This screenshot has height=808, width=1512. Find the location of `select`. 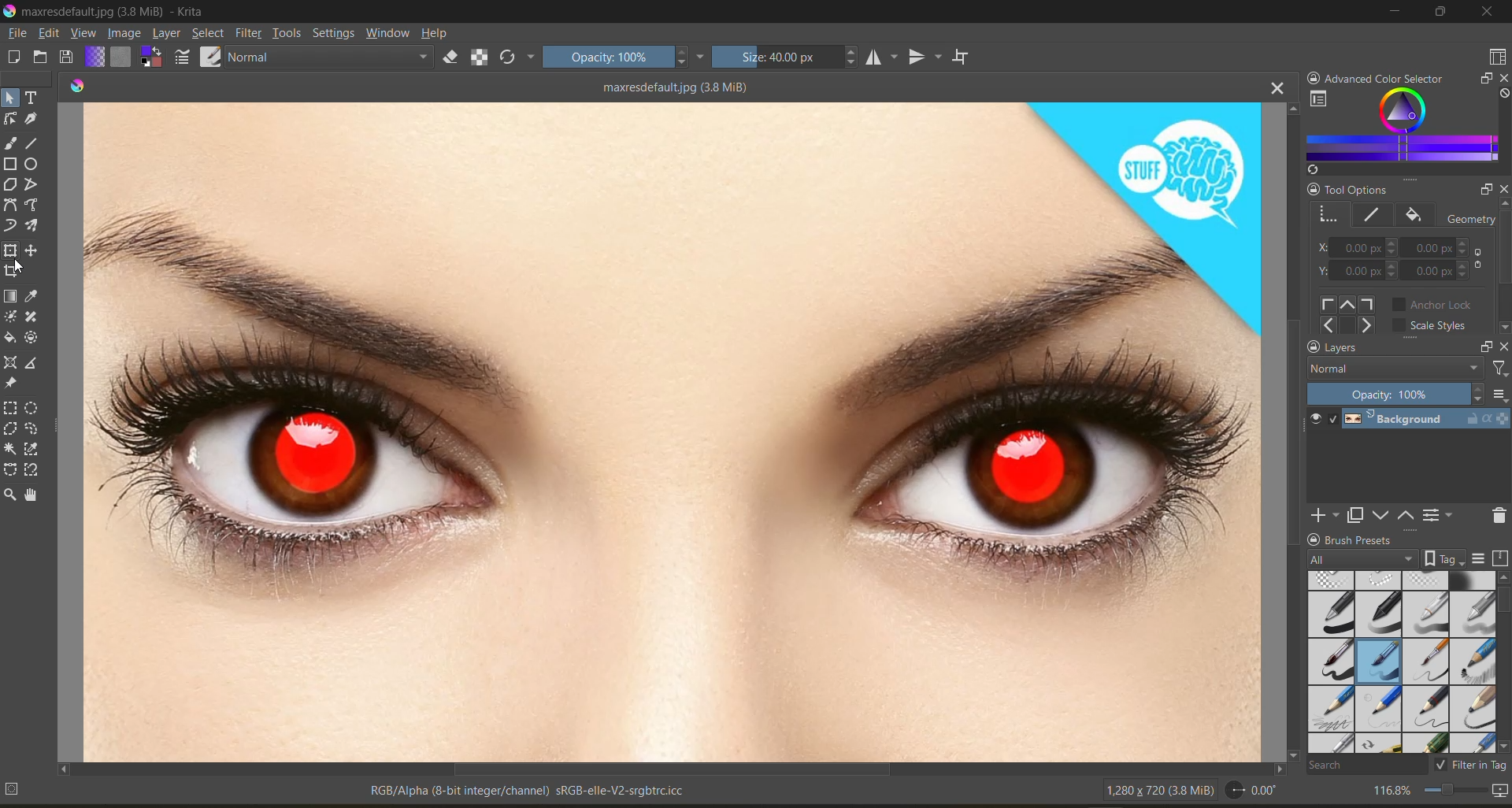

select is located at coordinates (209, 35).